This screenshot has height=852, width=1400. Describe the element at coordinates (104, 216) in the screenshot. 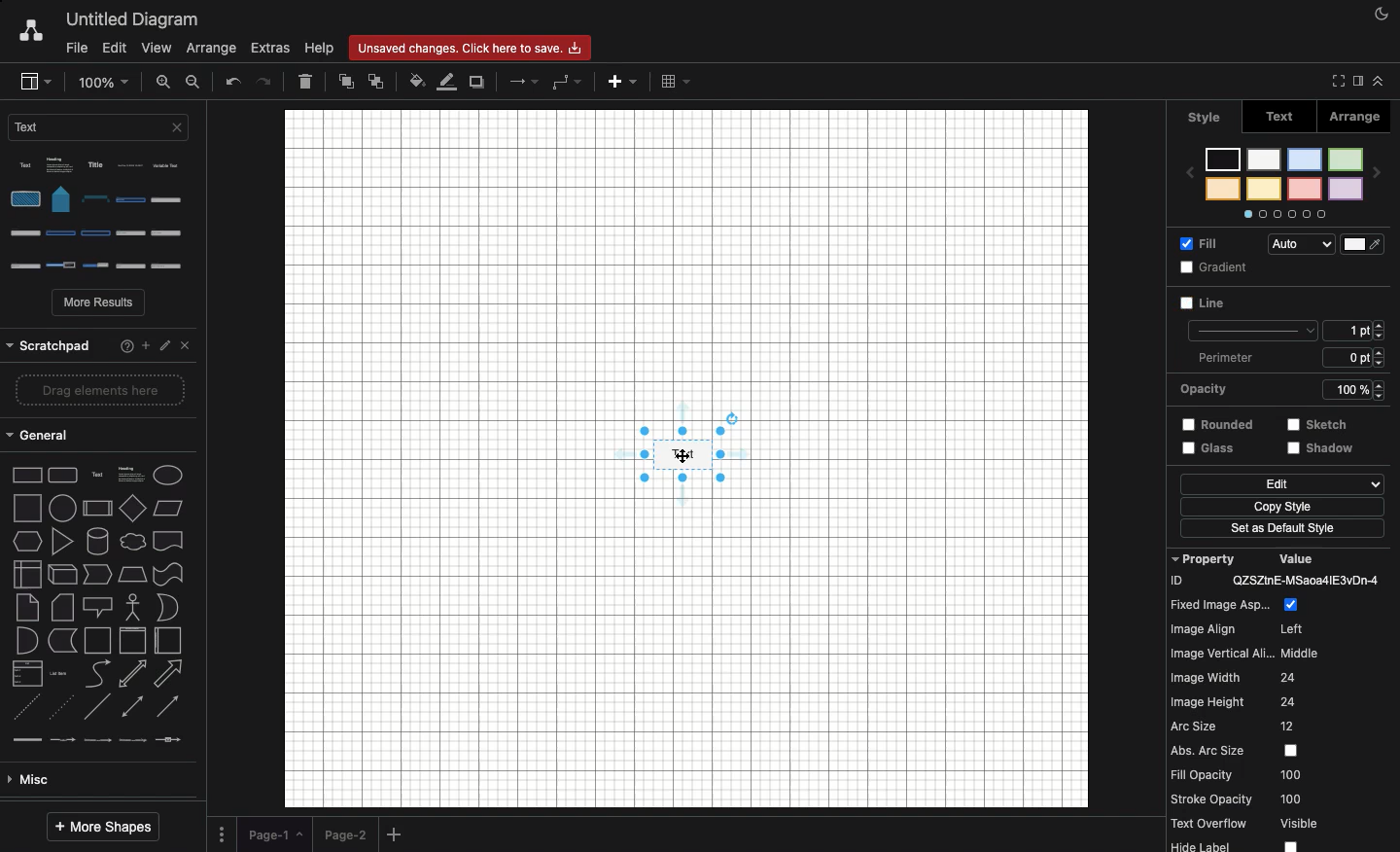

I see `Options` at that location.